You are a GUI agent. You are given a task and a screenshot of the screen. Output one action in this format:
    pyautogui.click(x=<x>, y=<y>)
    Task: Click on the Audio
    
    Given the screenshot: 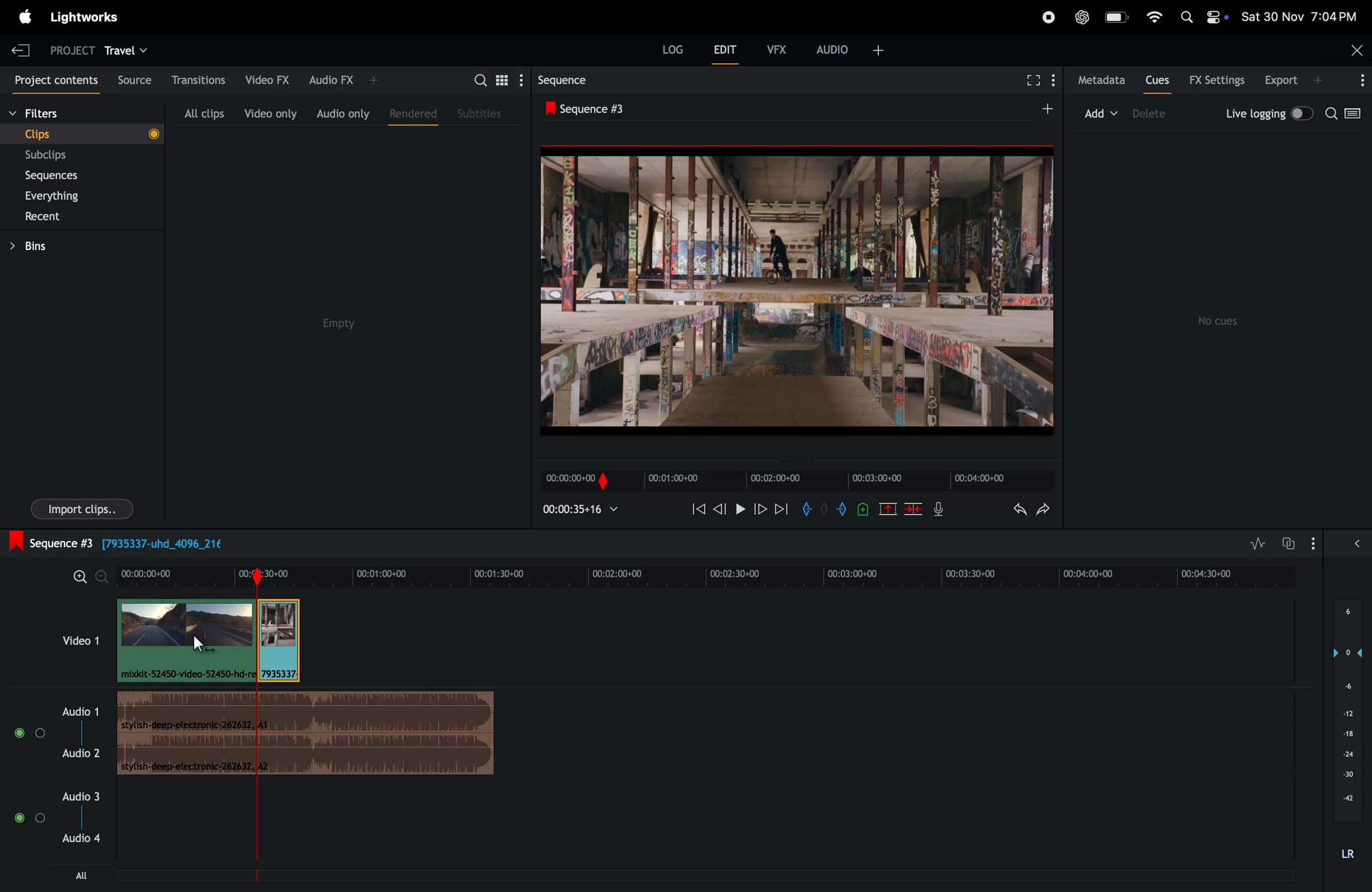 What is the action you would take?
    pyautogui.click(x=30, y=734)
    